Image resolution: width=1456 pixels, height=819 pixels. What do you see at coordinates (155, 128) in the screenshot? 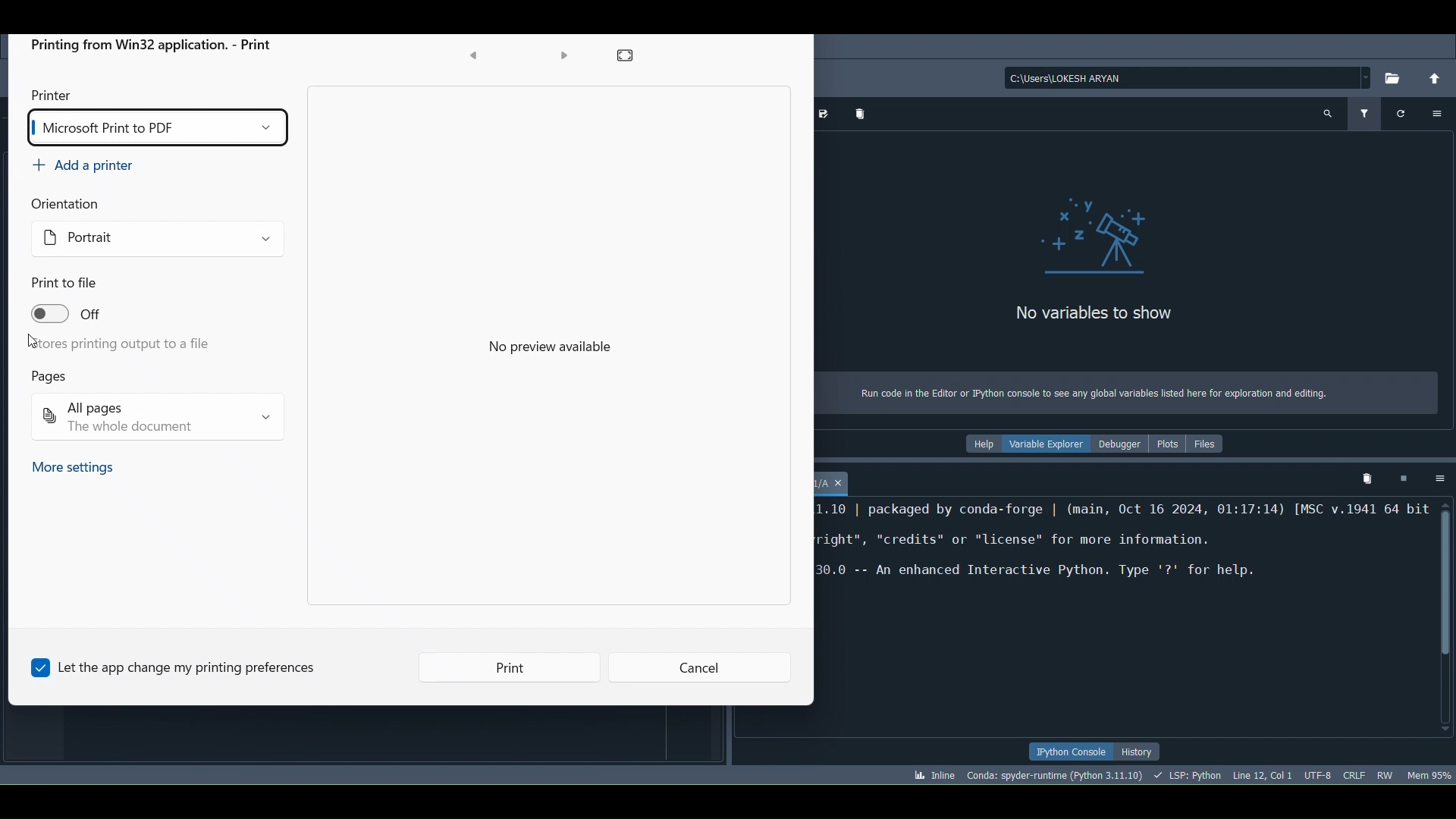
I see `Microsoft Print to PDF` at bounding box center [155, 128].